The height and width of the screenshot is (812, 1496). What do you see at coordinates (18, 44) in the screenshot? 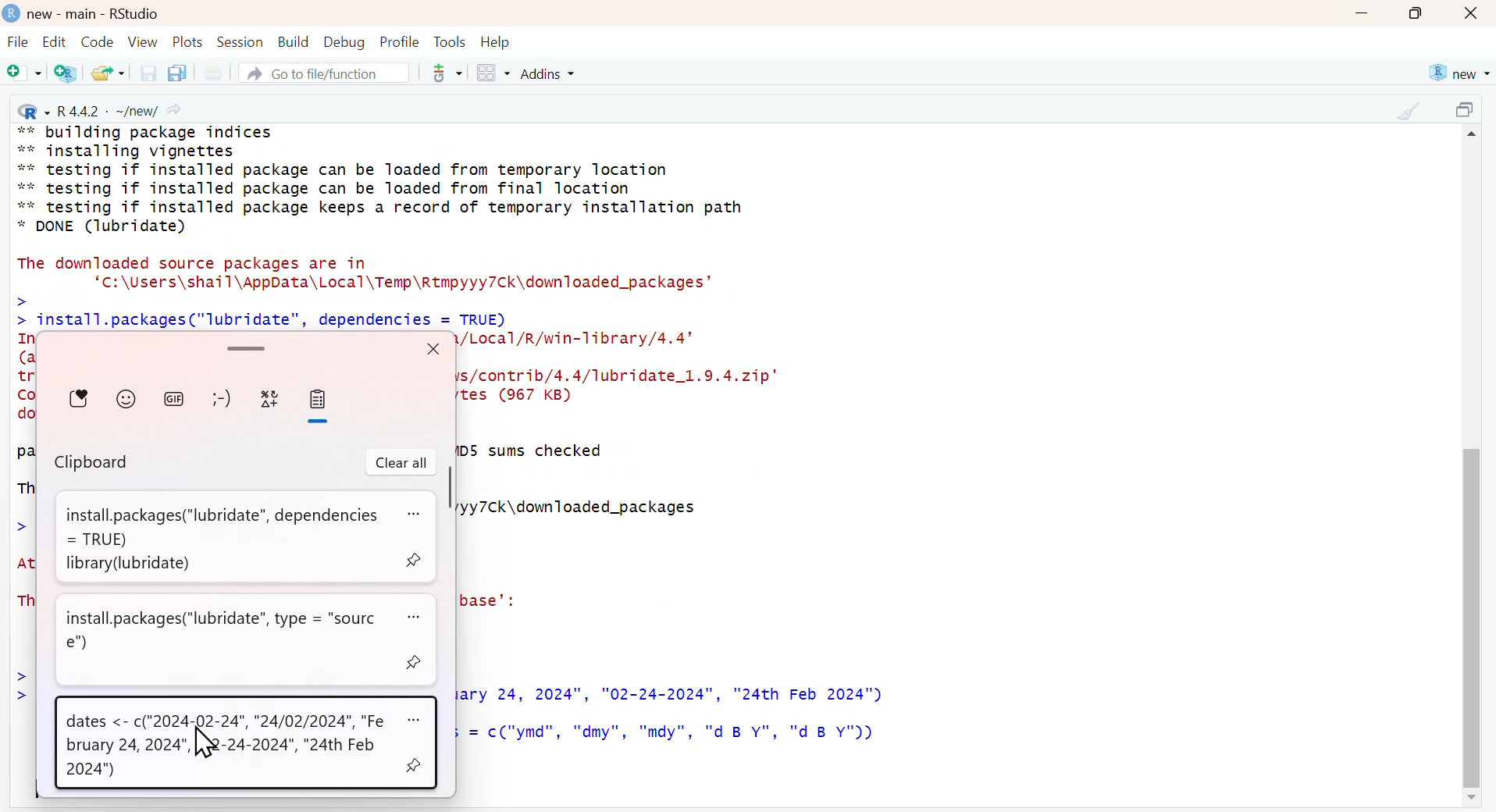
I see `File` at bounding box center [18, 44].